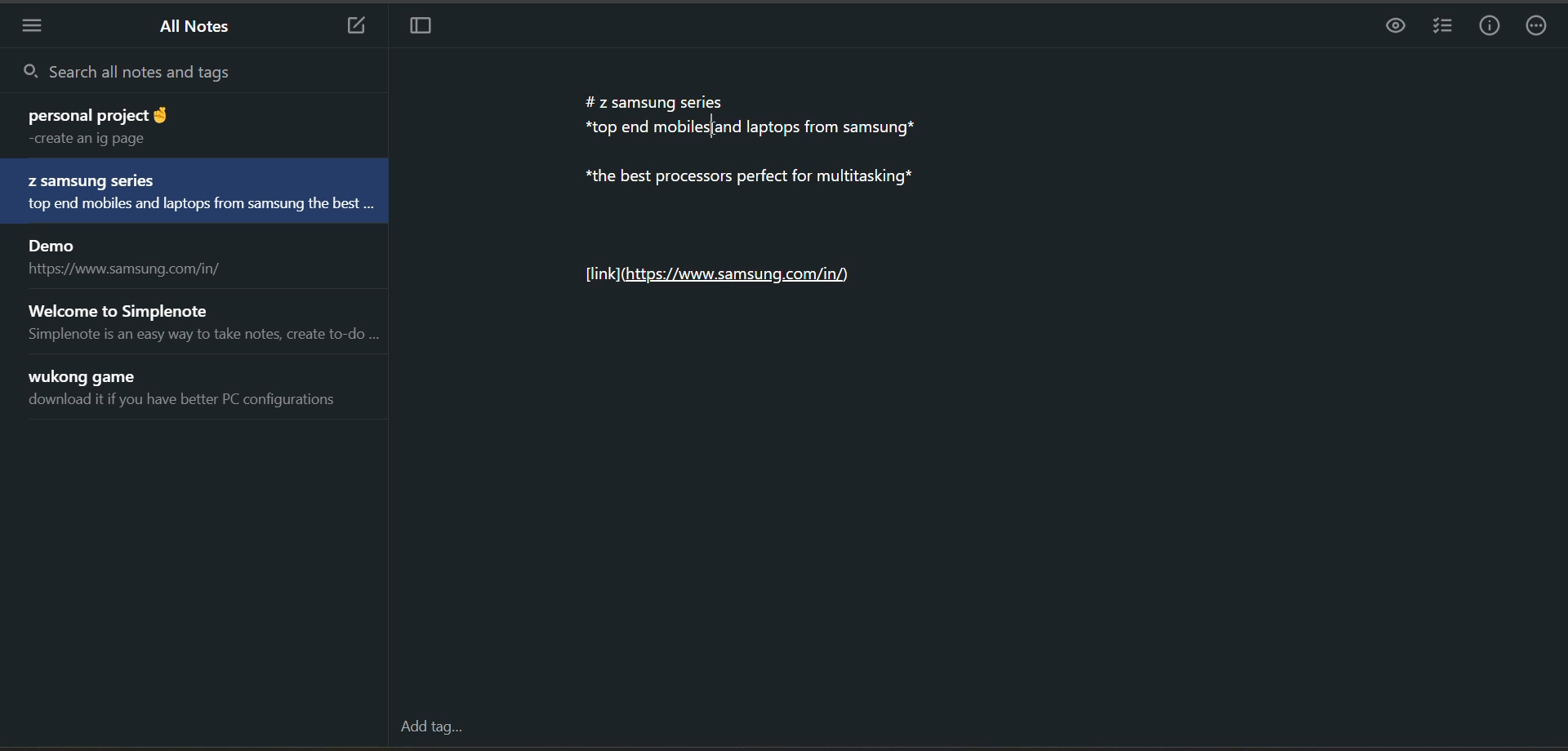  I want to click on note title and preview, so click(199, 321).